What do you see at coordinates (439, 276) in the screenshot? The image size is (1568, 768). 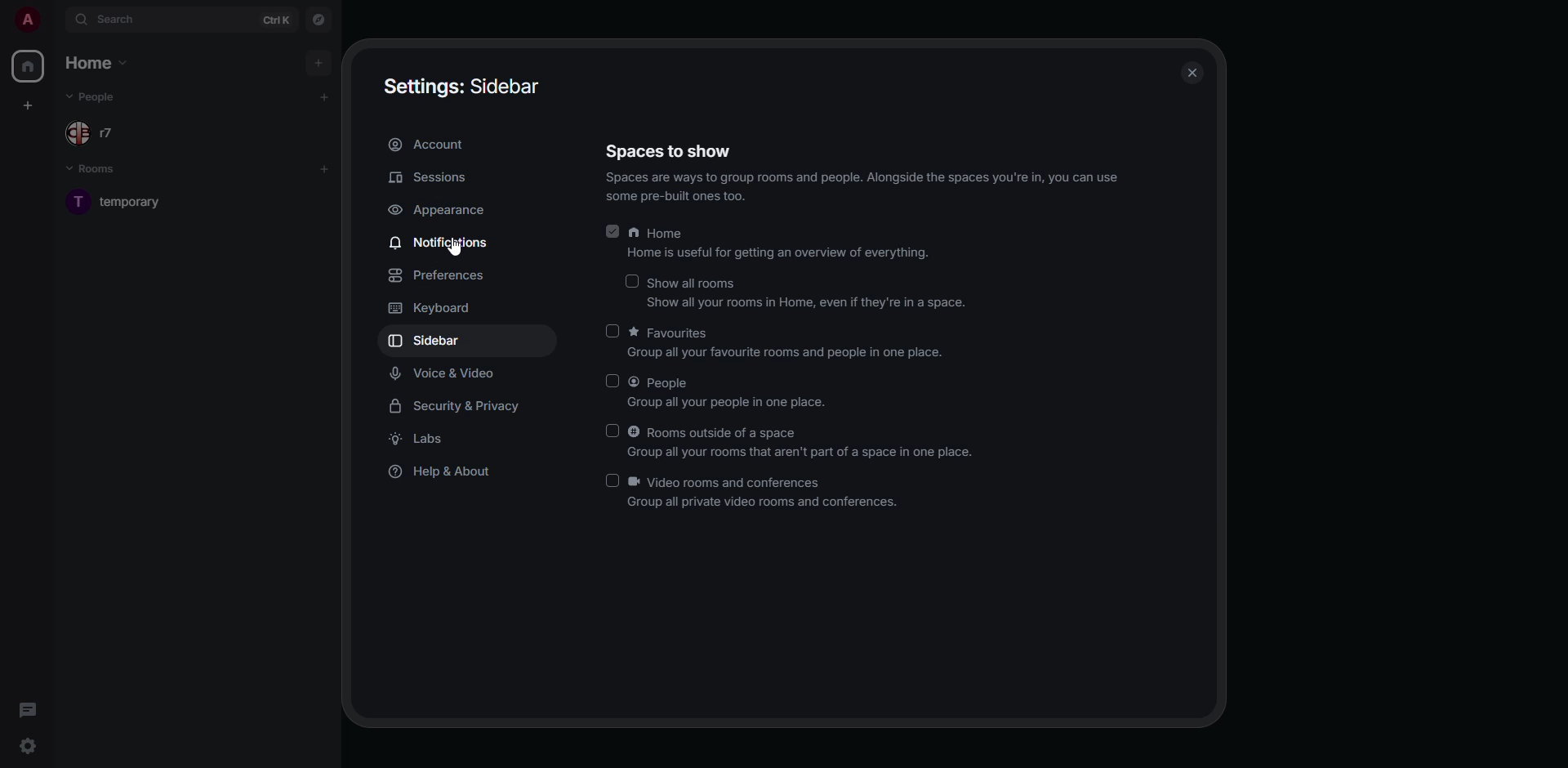 I see `preferences` at bounding box center [439, 276].